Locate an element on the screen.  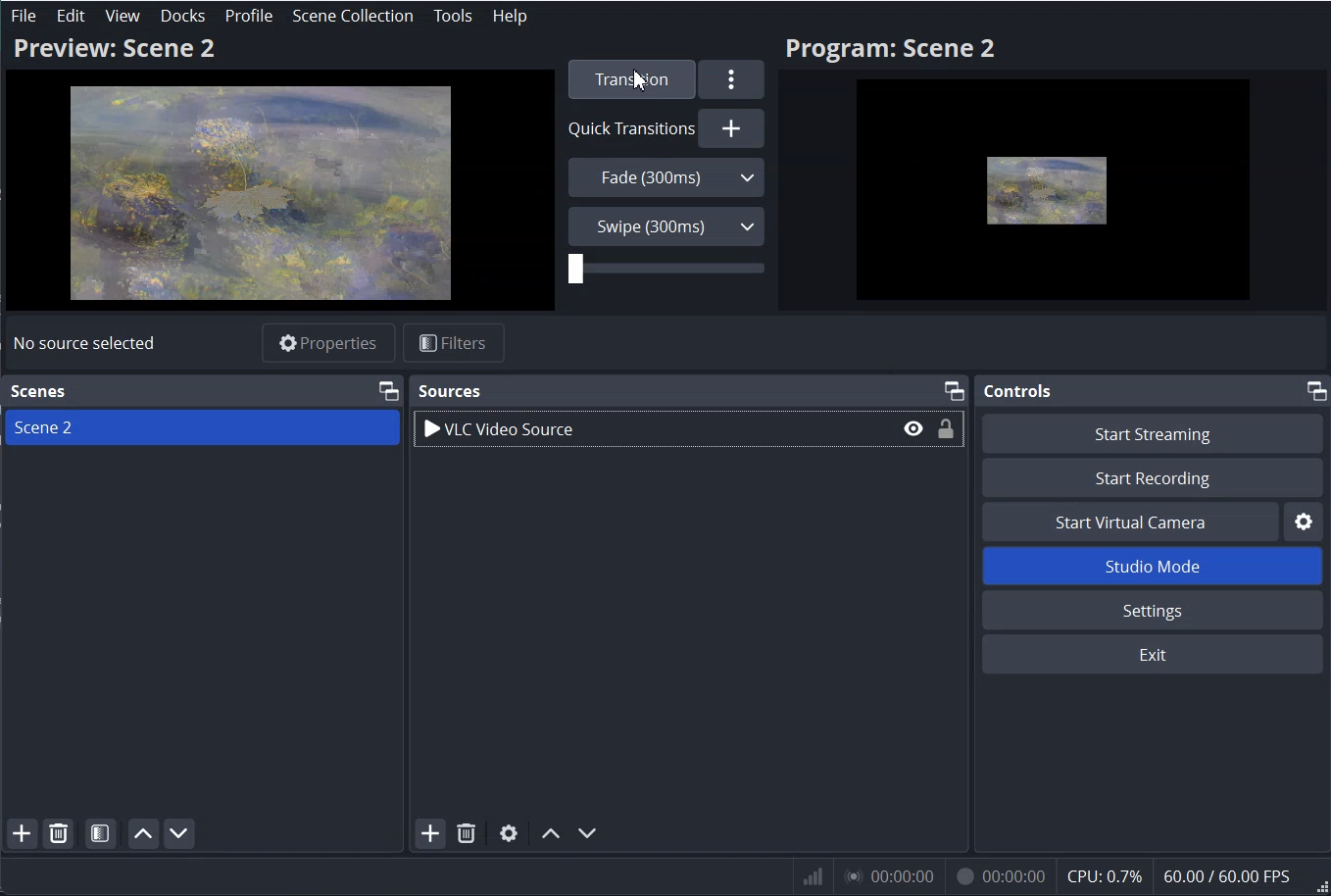
Transition is located at coordinates (630, 78).